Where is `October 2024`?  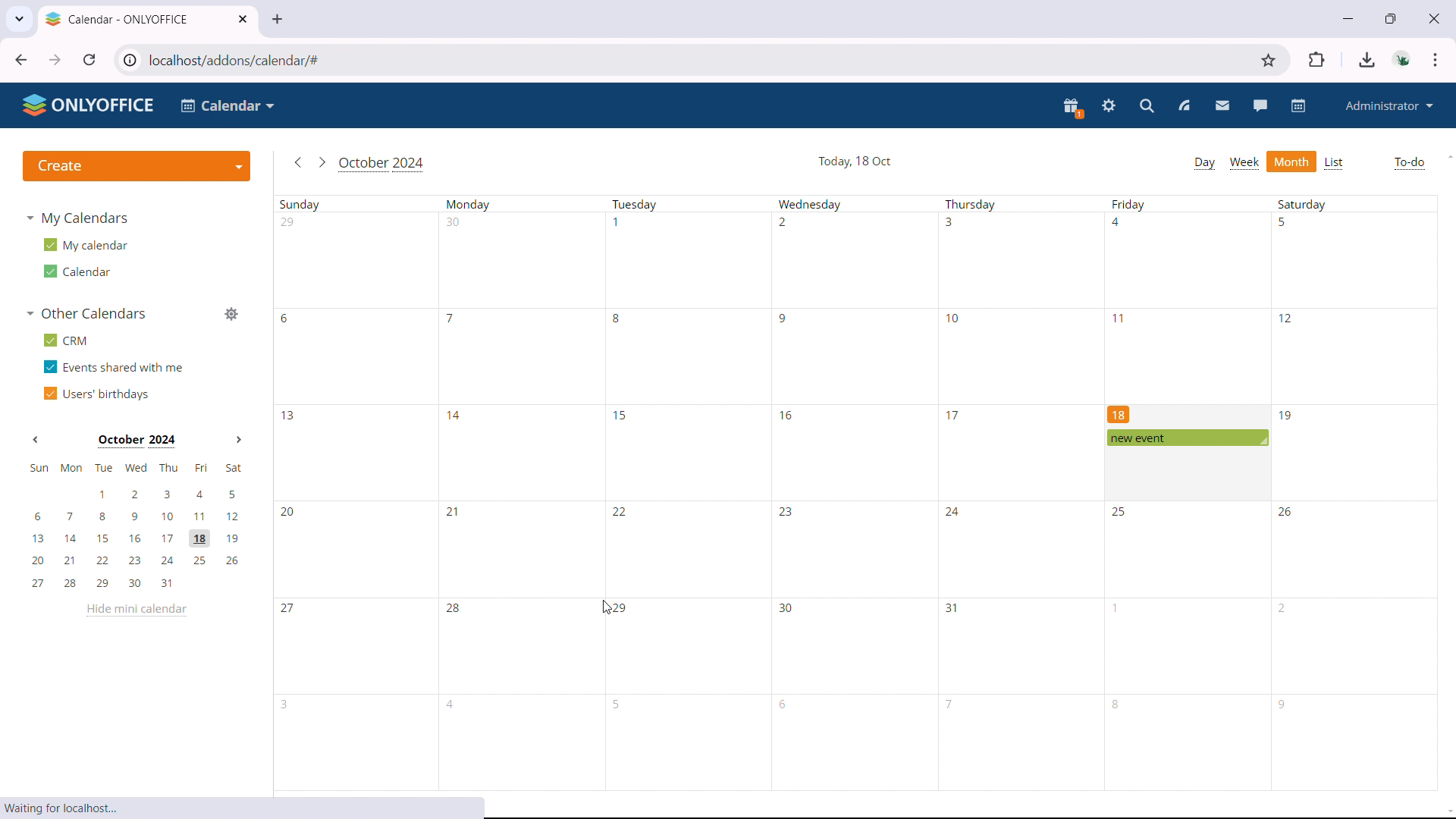 October 2024 is located at coordinates (384, 165).